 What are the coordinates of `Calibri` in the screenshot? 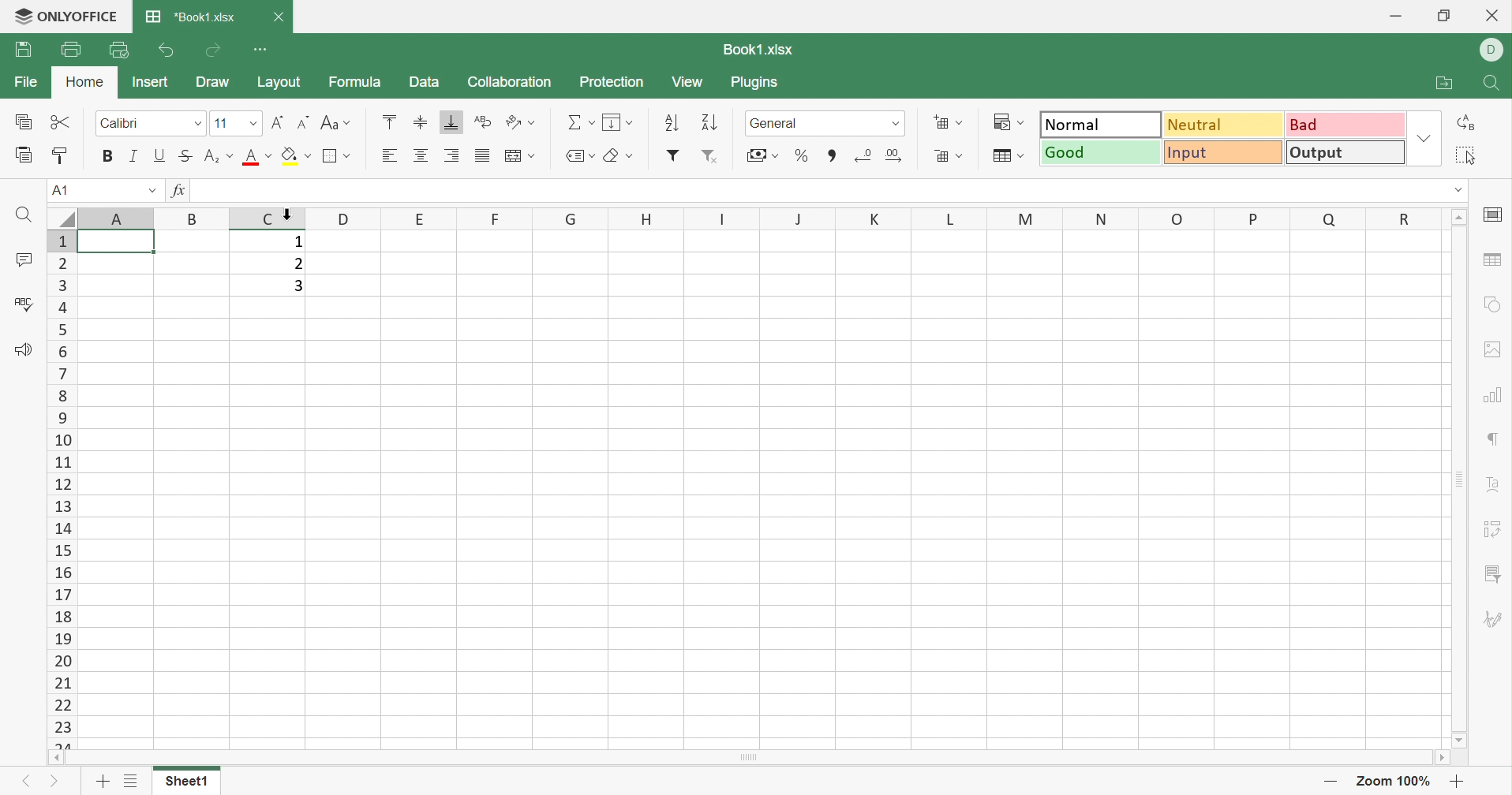 It's located at (119, 121).